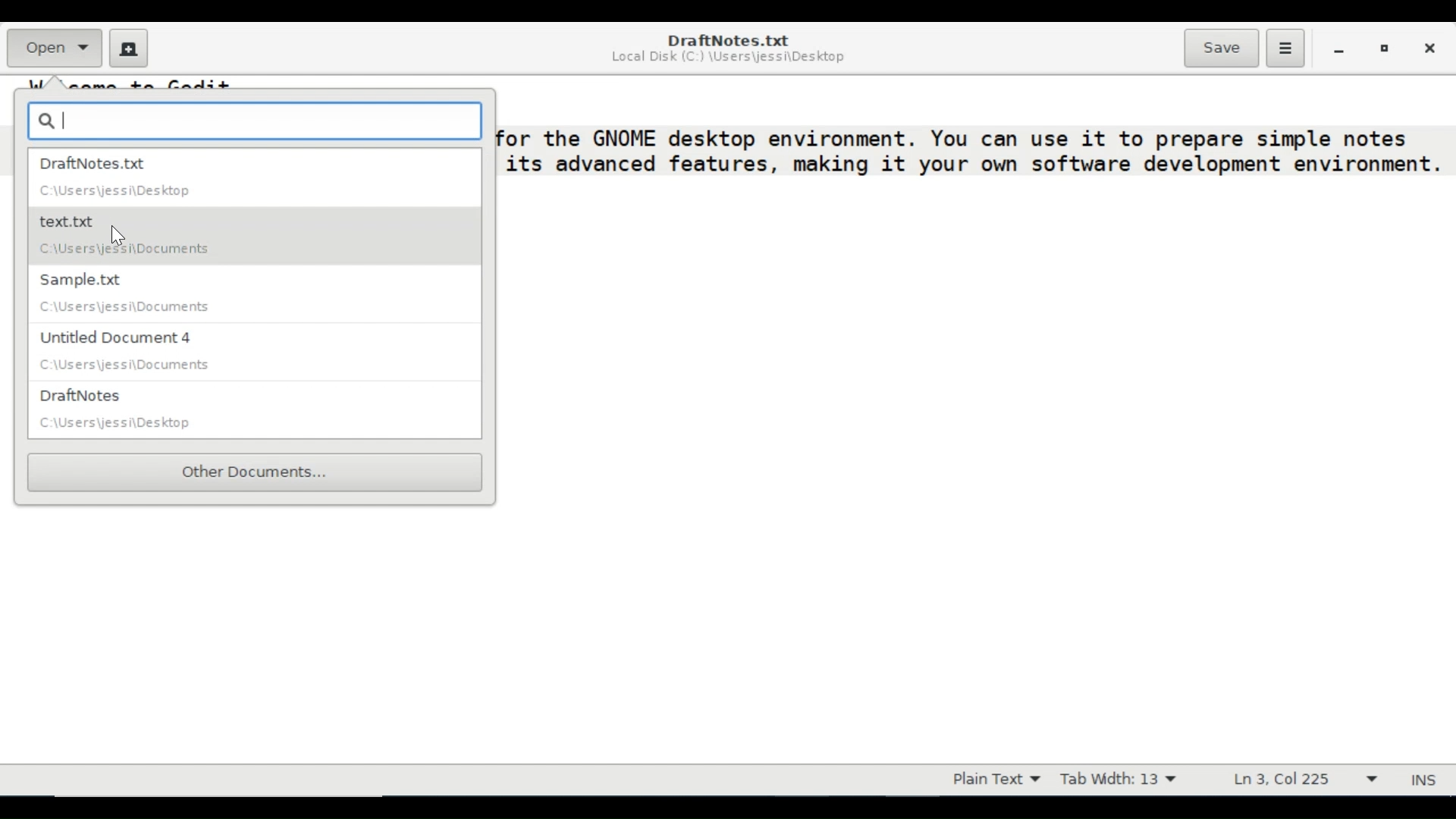  What do you see at coordinates (246, 237) in the screenshot?
I see `text.txt` at bounding box center [246, 237].